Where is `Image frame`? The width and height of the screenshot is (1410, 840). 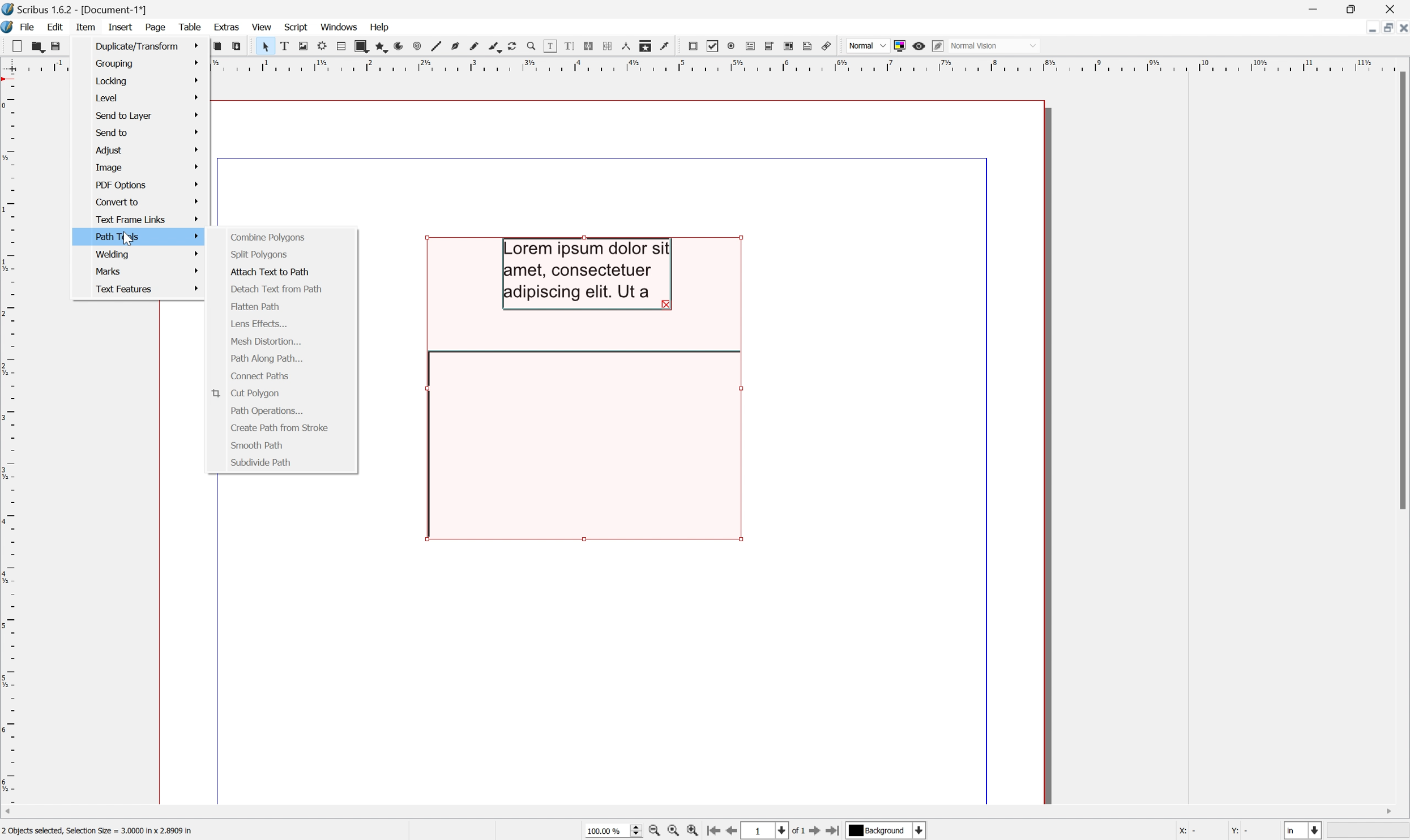
Image frame is located at coordinates (301, 45).